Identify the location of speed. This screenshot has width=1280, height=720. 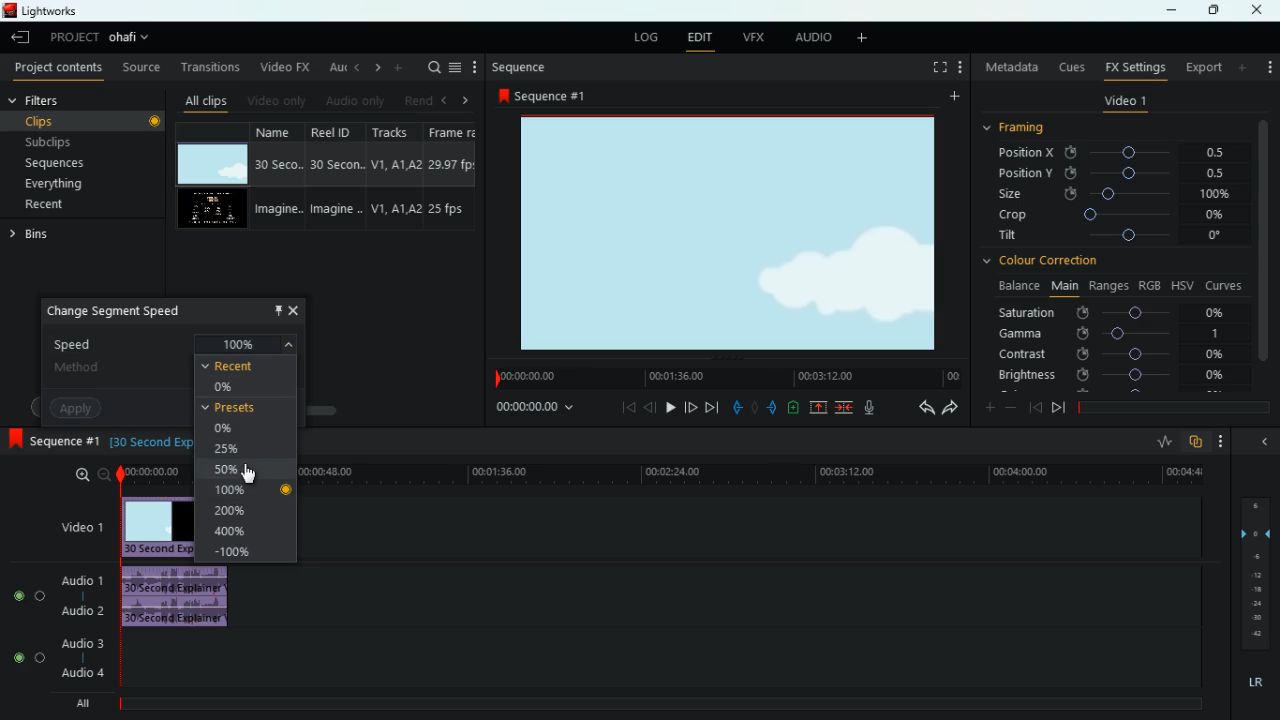
(174, 341).